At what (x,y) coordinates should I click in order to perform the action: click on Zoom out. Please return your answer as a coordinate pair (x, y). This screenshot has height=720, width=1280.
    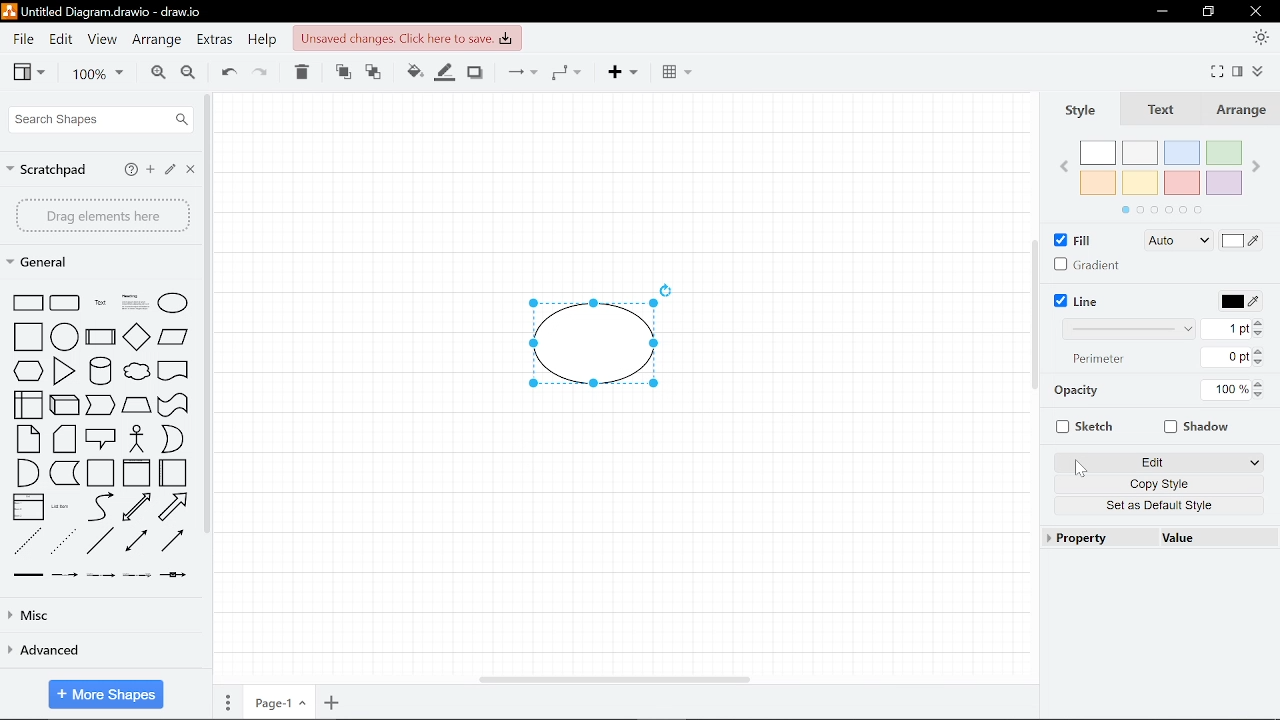
    Looking at the image, I should click on (190, 73).